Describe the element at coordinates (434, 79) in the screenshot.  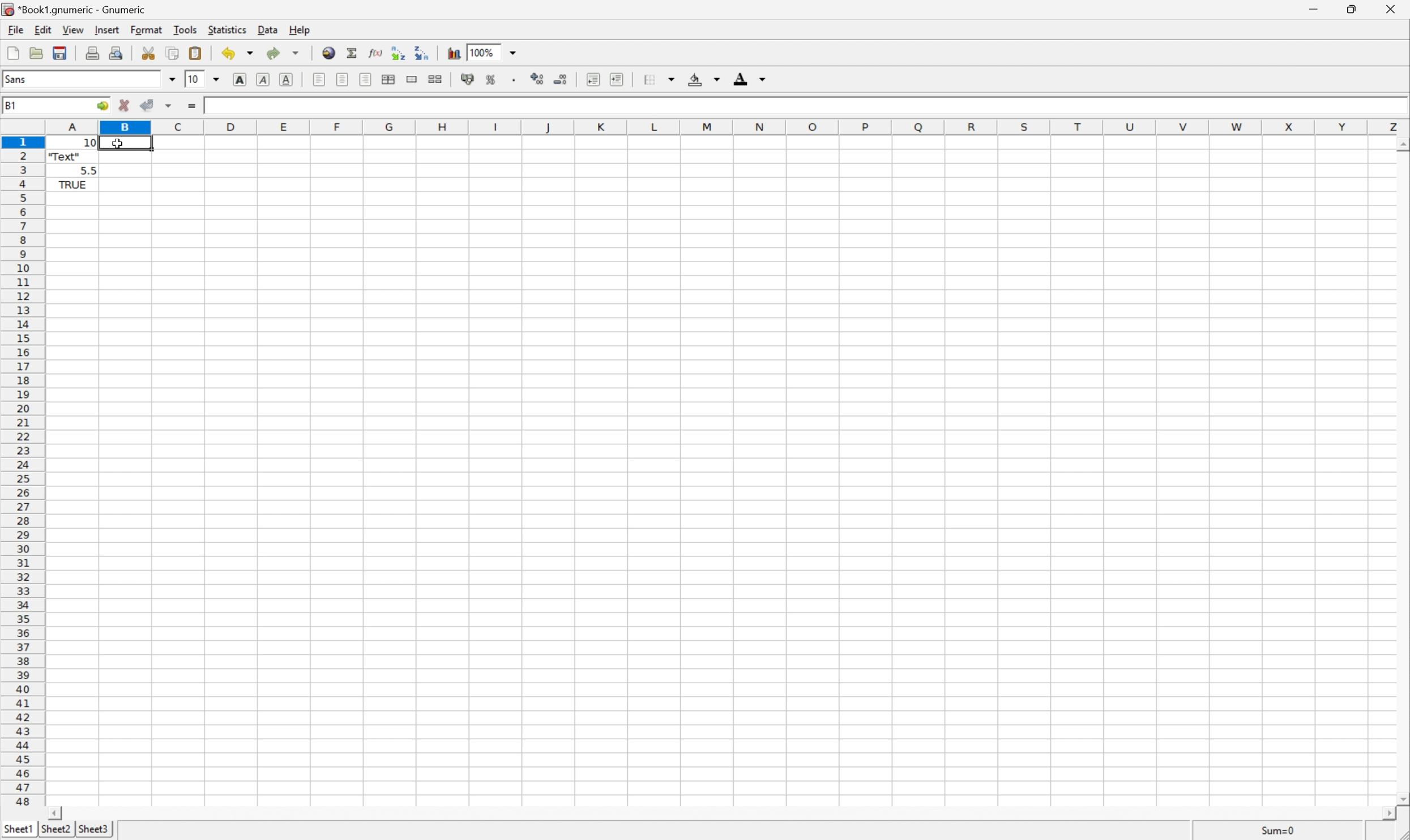
I see `Split Ranges of merged cells` at that location.